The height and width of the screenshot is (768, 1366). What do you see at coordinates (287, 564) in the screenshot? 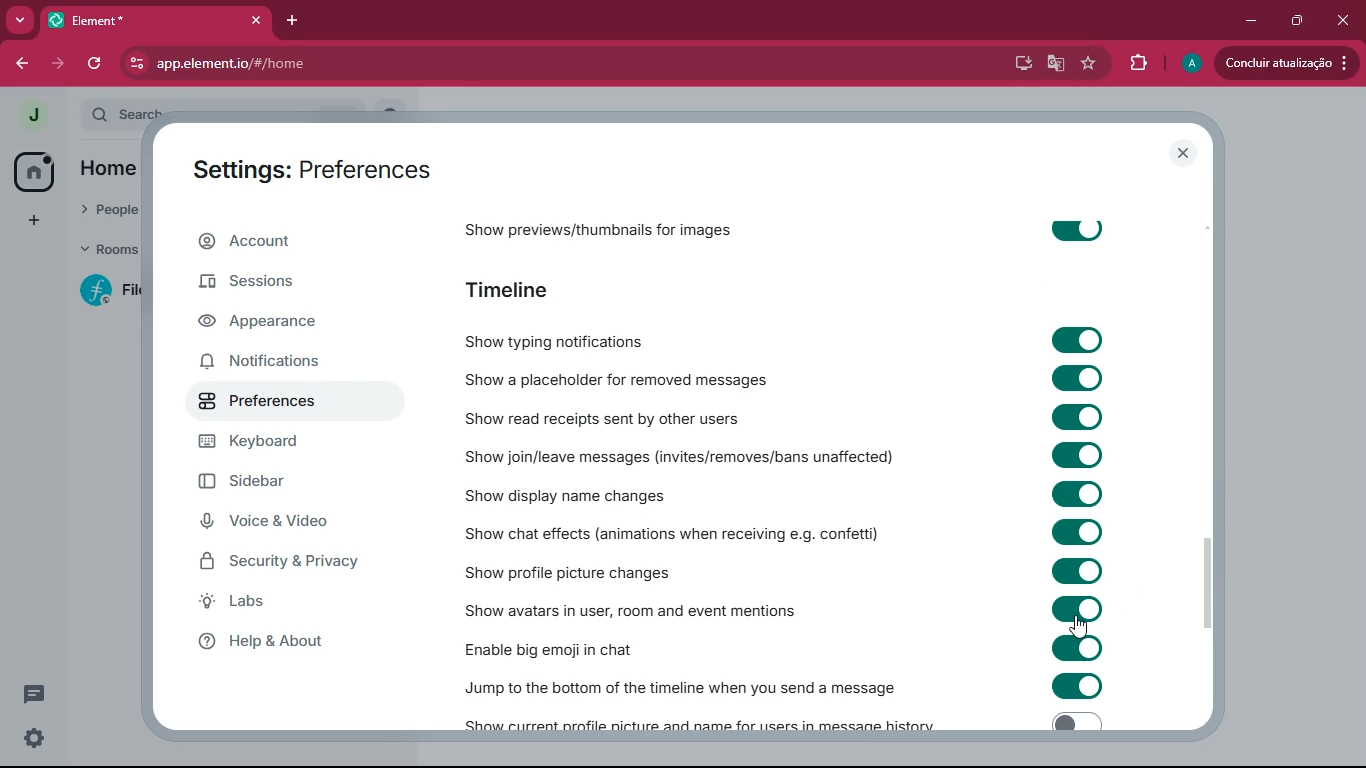
I see `security` at bounding box center [287, 564].